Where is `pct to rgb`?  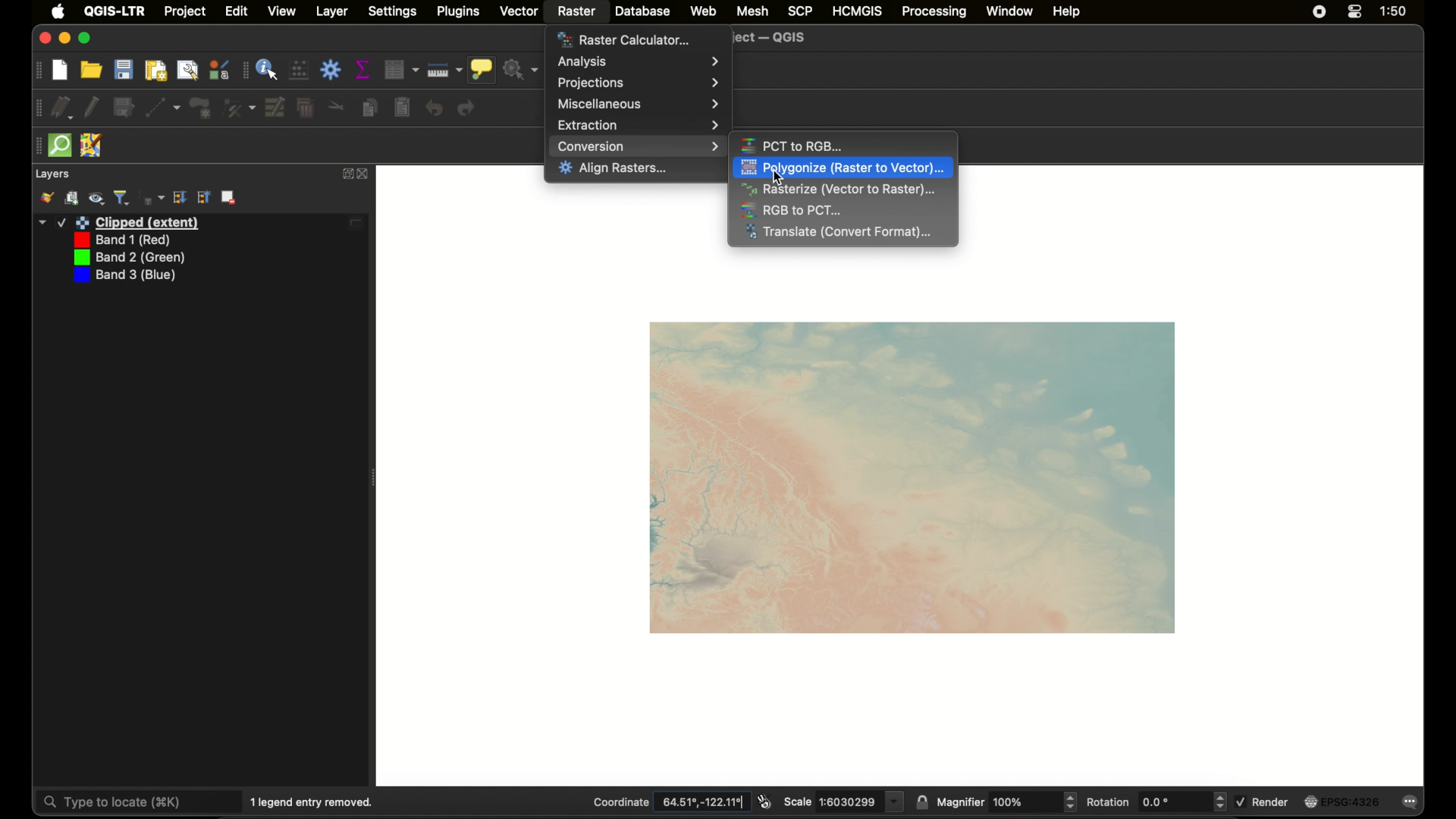
pct to rgb is located at coordinates (794, 145).